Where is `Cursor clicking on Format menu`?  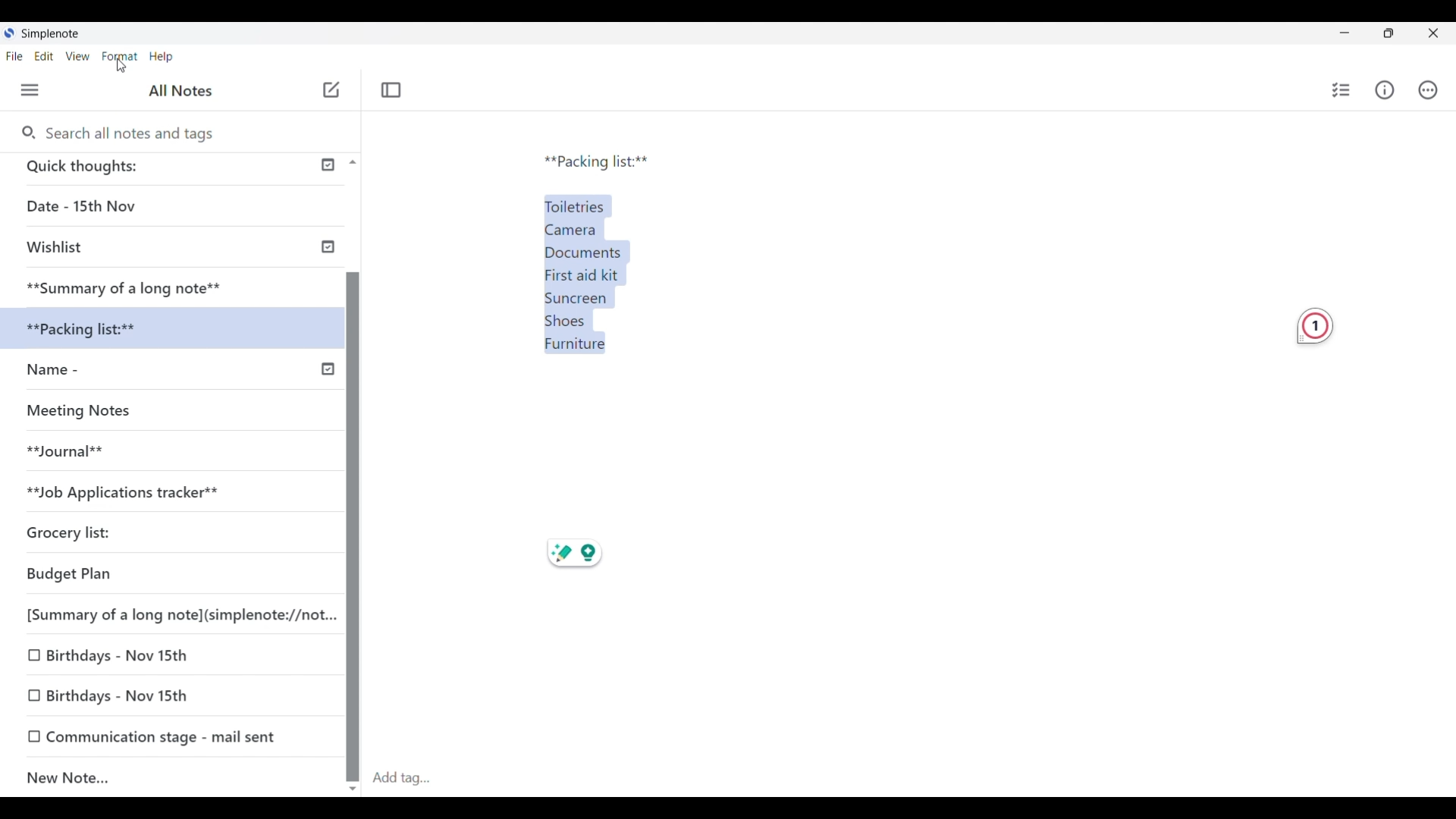 Cursor clicking on Format menu is located at coordinates (122, 66).